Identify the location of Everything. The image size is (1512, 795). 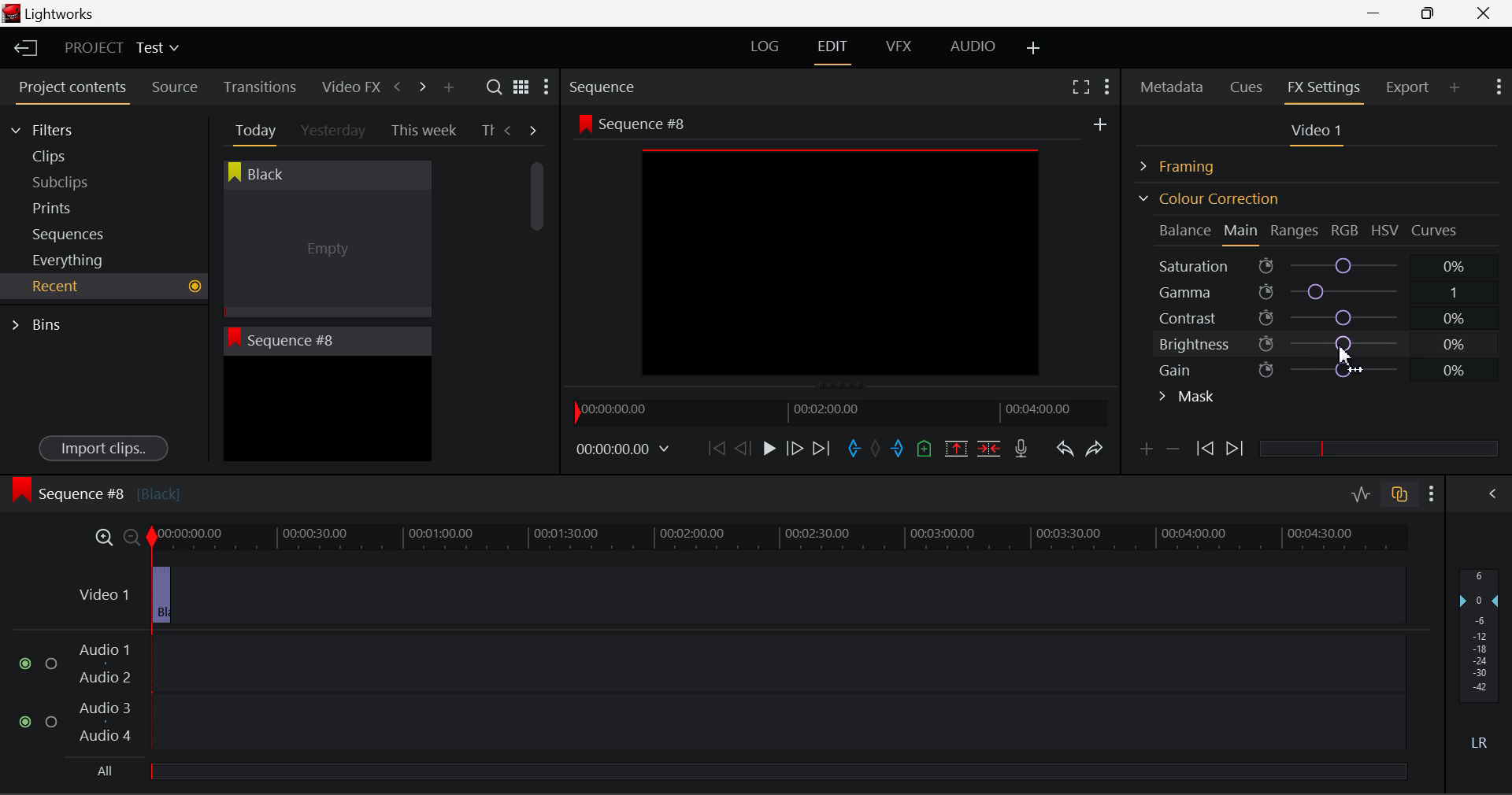
(70, 260).